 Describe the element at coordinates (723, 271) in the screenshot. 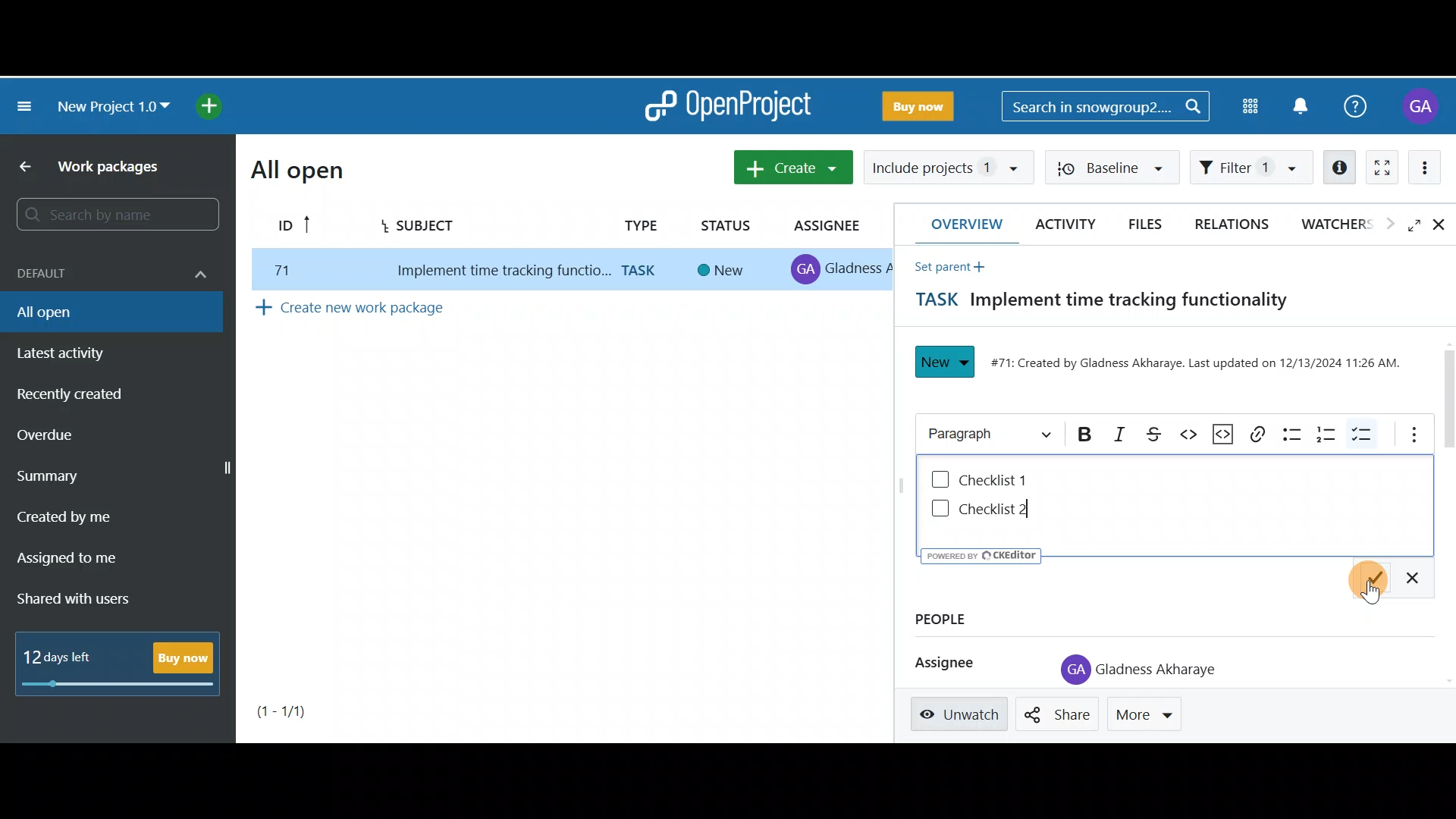

I see `new` at that location.